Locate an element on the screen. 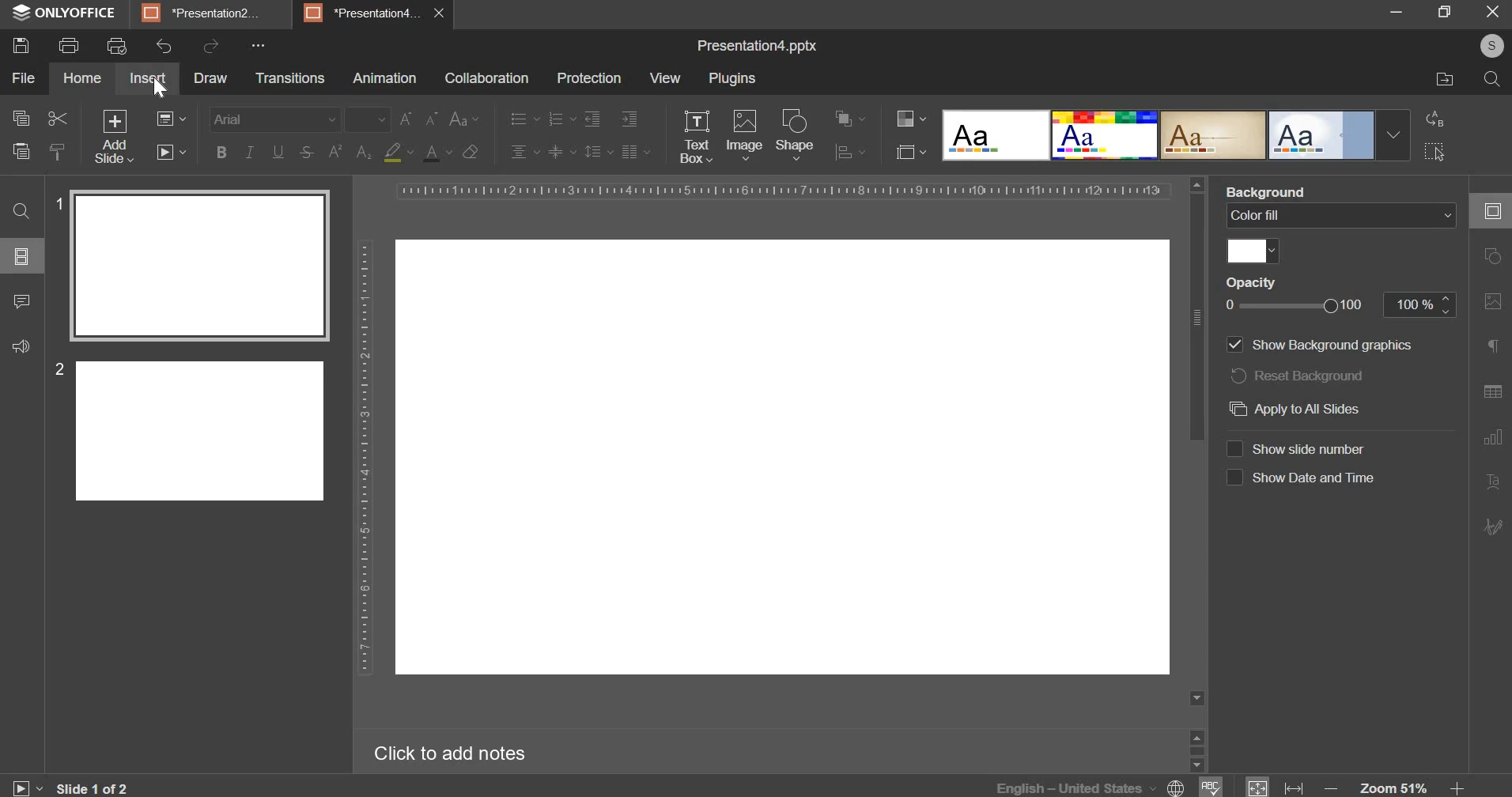  horizontal alignment is located at coordinates (524, 152).